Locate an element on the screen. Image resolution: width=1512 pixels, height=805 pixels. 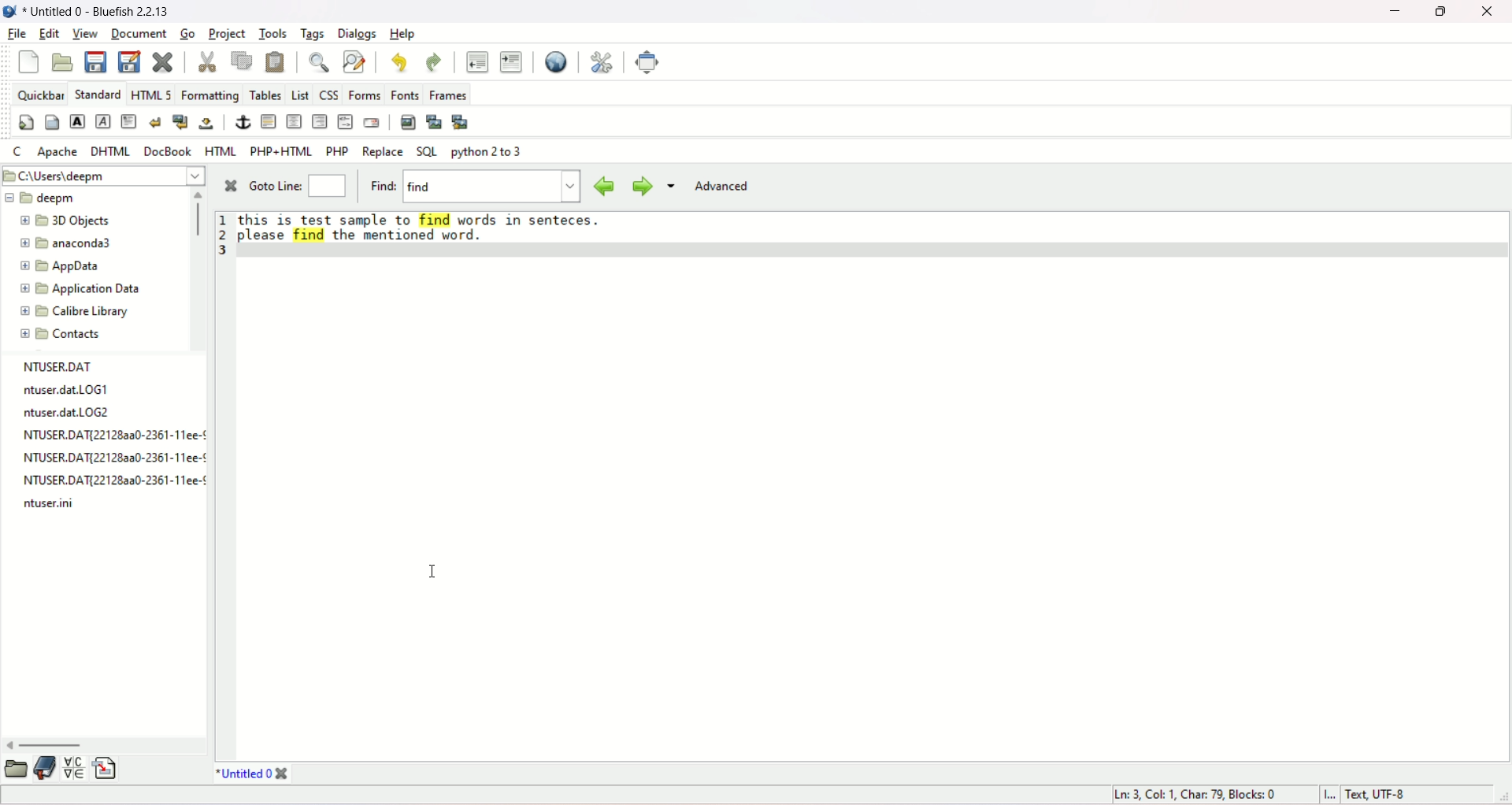
PHP+HTML is located at coordinates (281, 151).